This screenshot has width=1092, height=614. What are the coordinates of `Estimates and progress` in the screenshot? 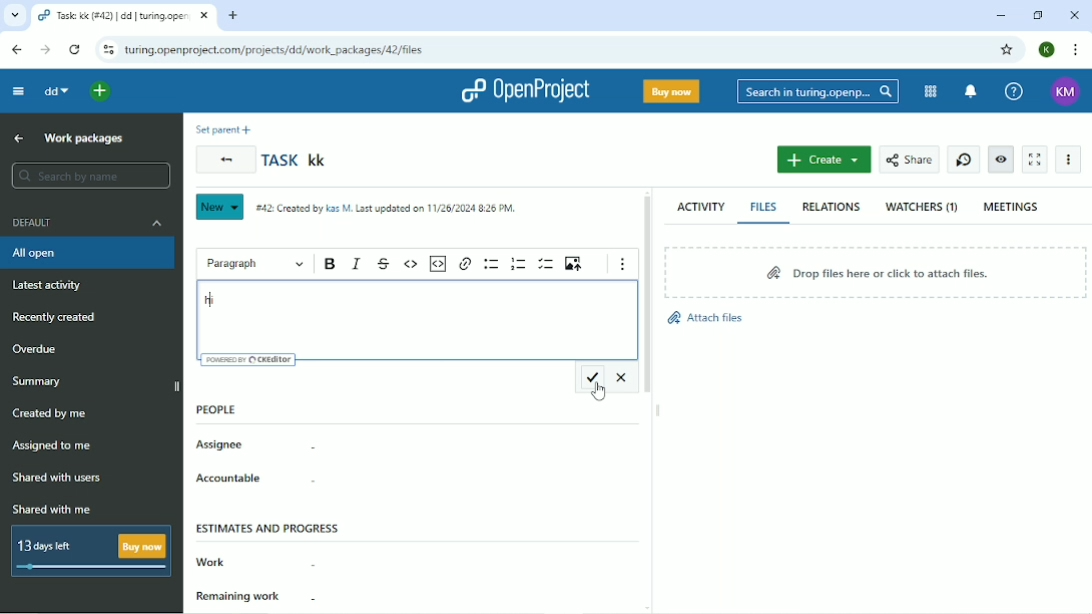 It's located at (271, 524).